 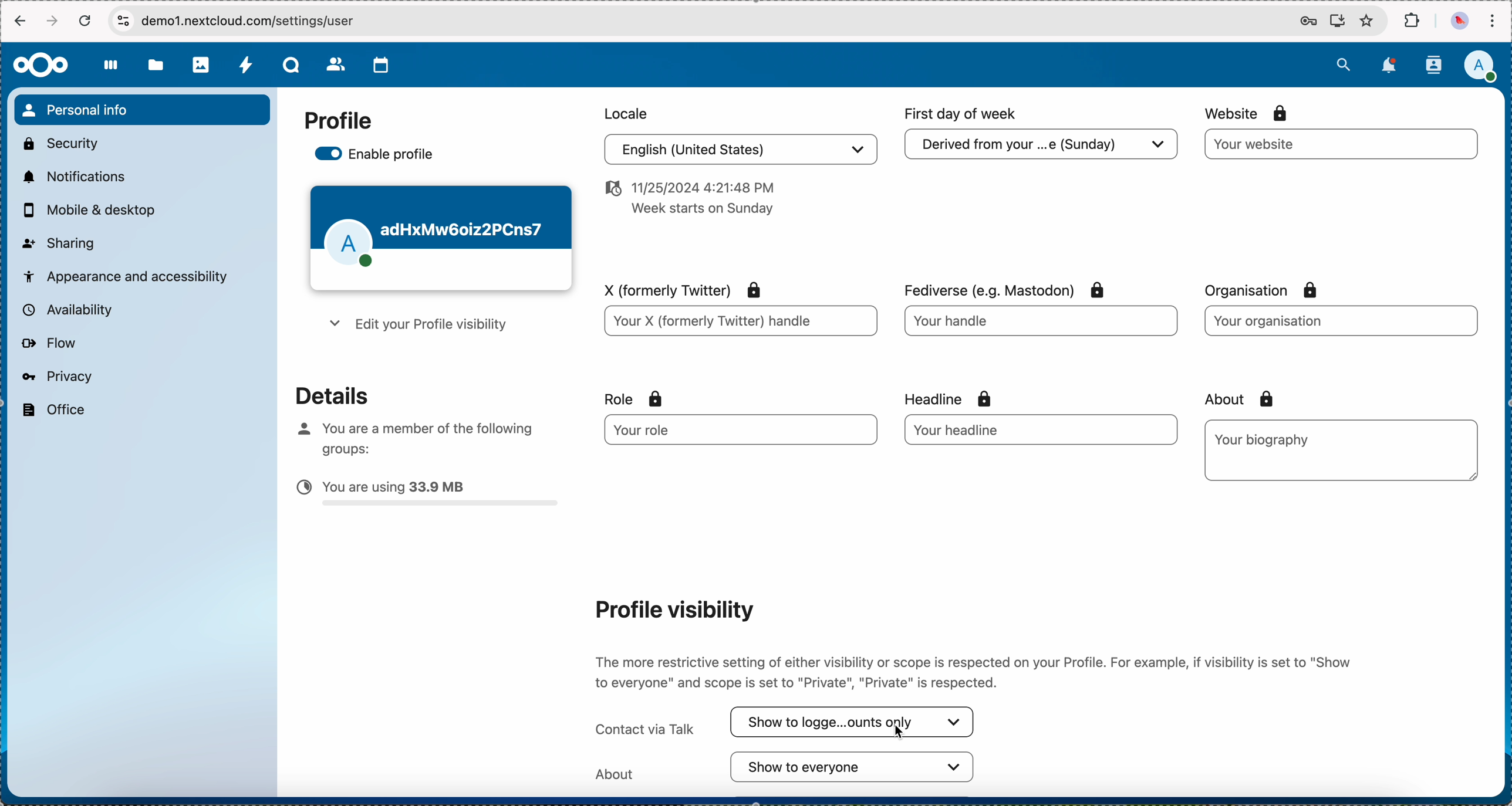 I want to click on locale, so click(x=623, y=112).